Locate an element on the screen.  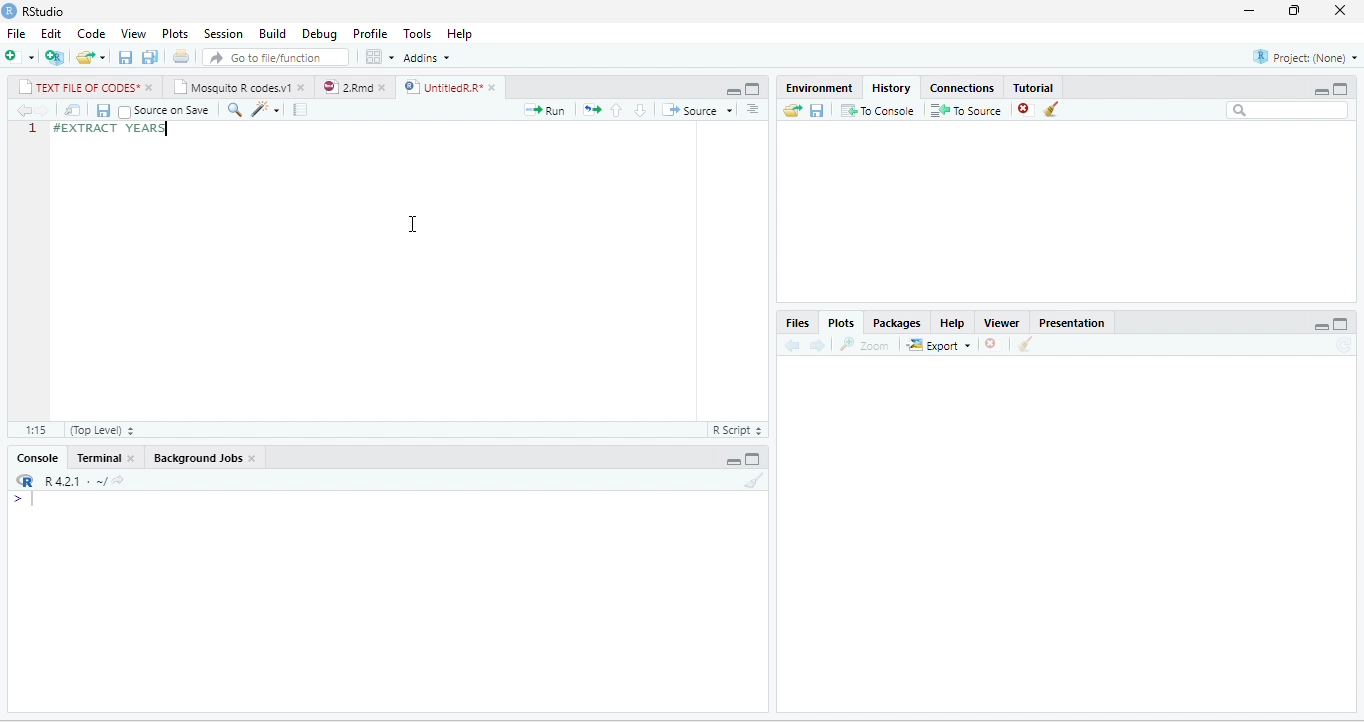
search file is located at coordinates (276, 57).